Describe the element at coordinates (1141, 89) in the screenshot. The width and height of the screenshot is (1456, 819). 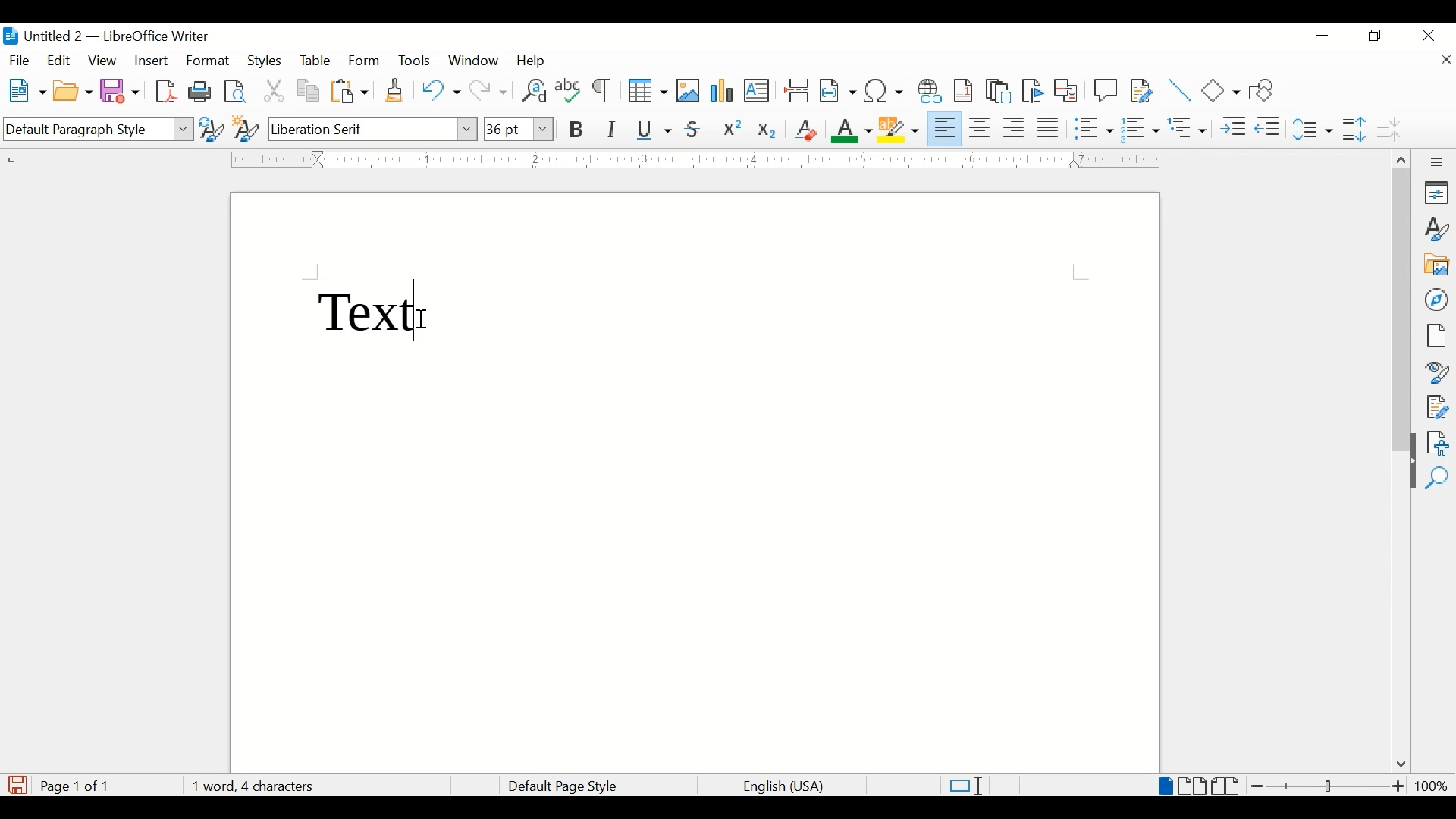
I see `show track changes functions` at that location.